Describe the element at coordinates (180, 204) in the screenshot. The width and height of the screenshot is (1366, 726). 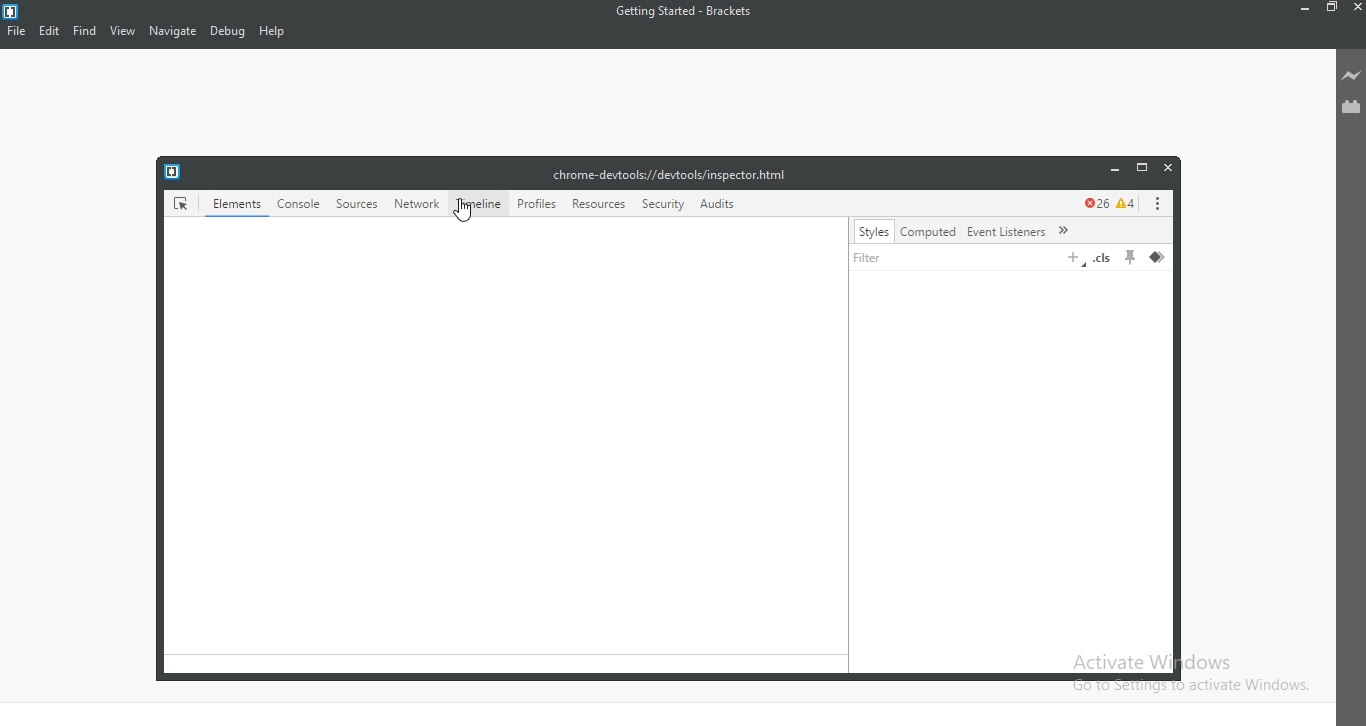
I see `elements` at that location.